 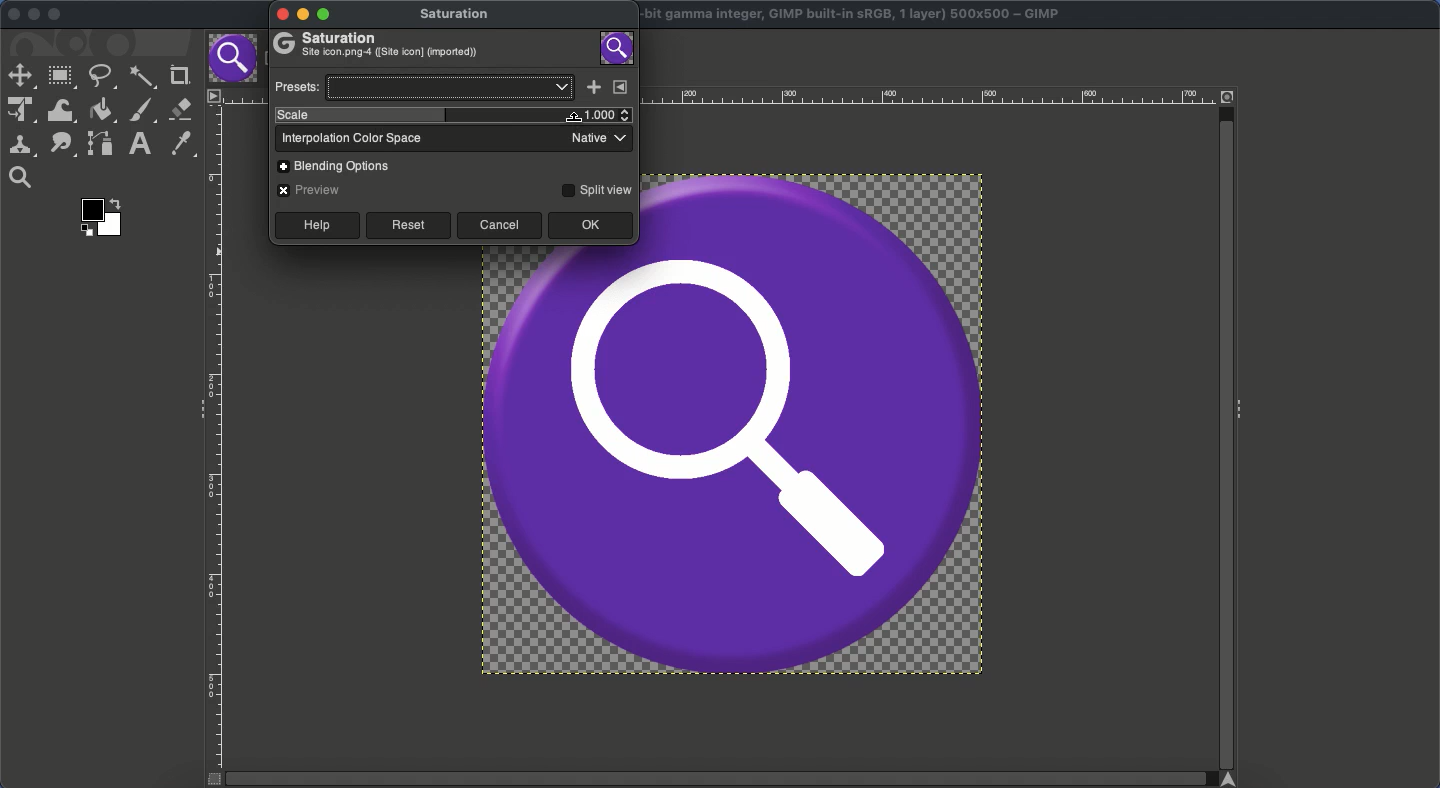 What do you see at coordinates (499, 225) in the screenshot?
I see `Cancel` at bounding box center [499, 225].